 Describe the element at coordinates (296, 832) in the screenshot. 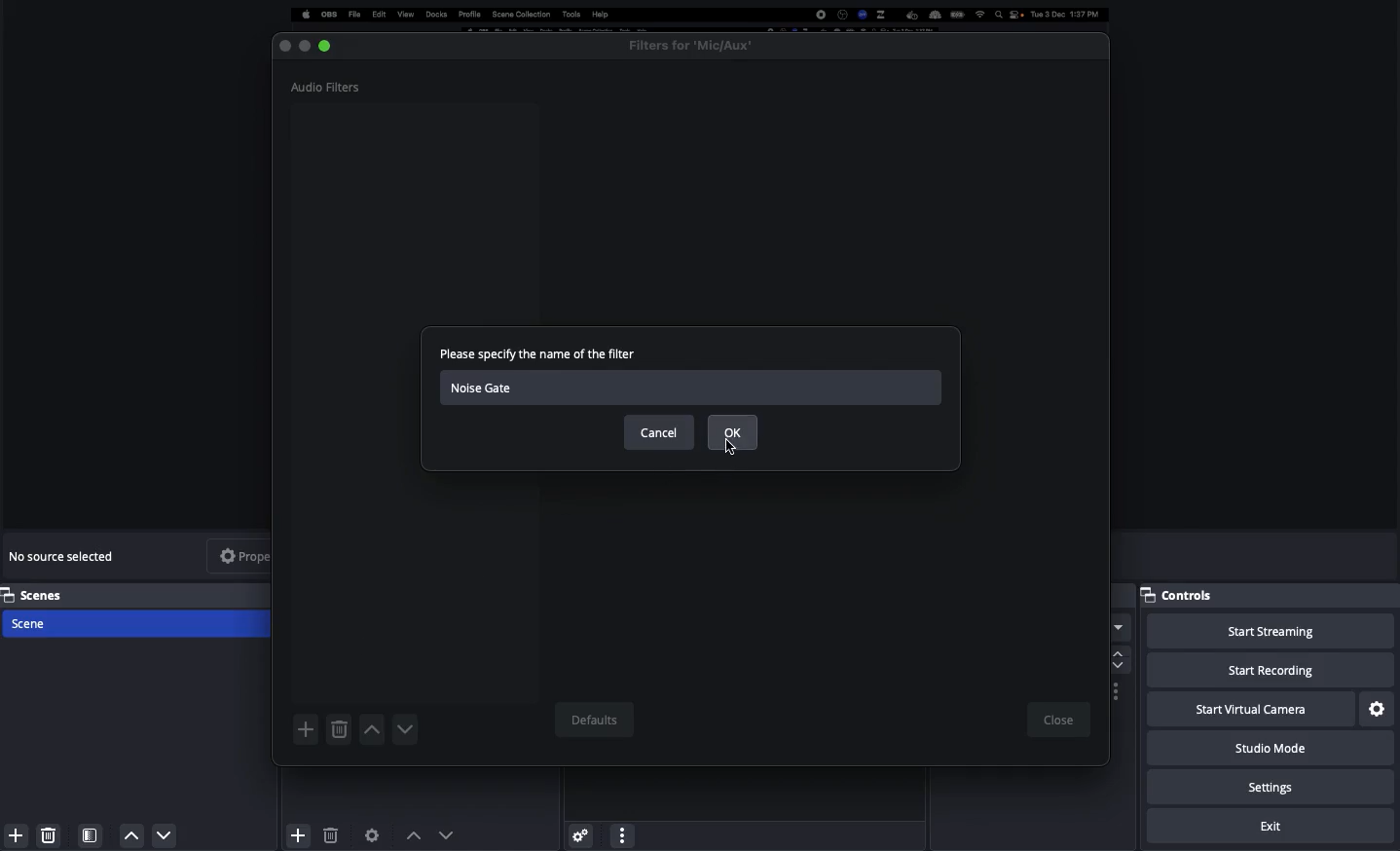

I see `Add` at that location.